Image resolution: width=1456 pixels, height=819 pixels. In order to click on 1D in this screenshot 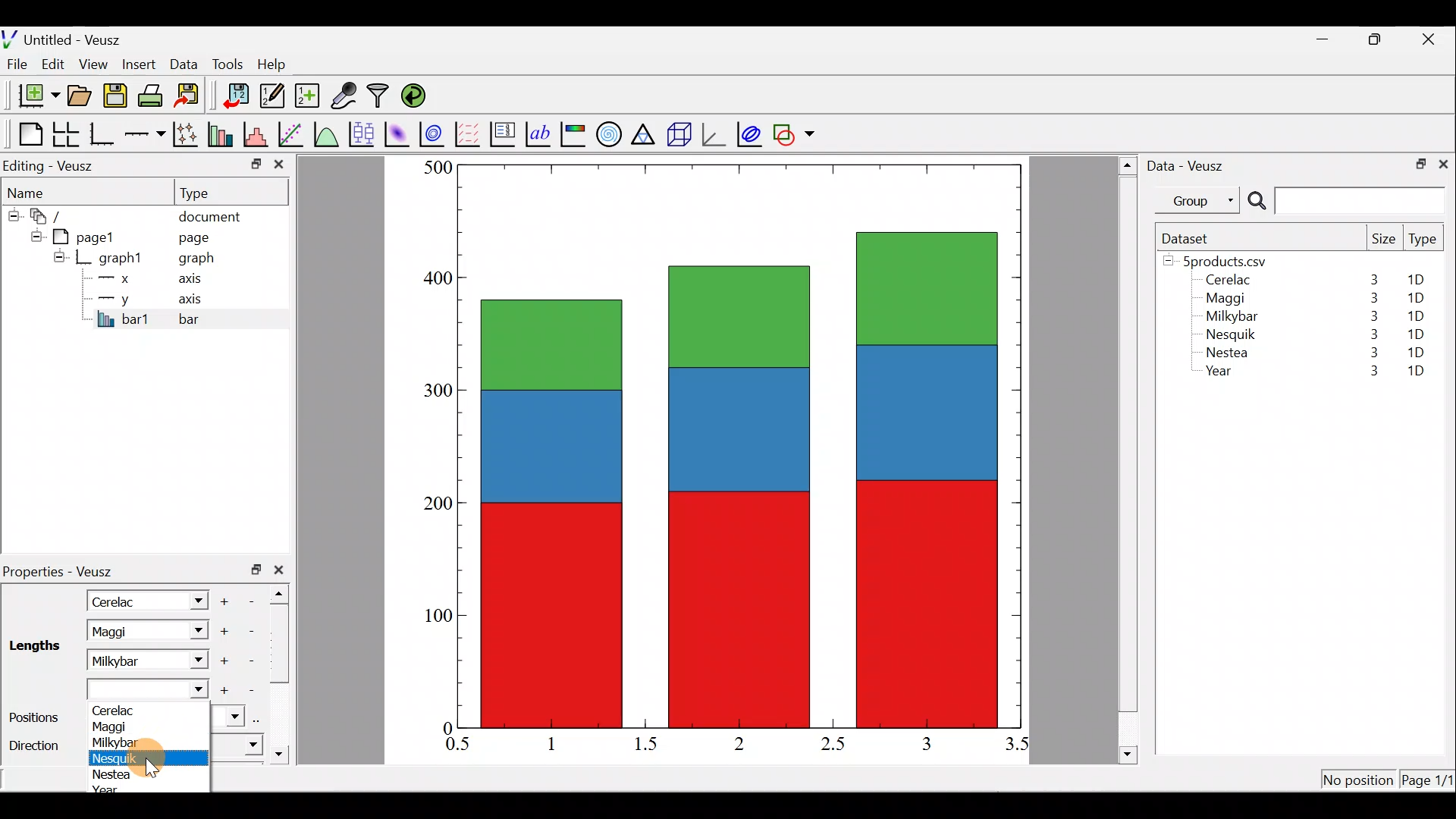, I will do `click(1421, 280)`.